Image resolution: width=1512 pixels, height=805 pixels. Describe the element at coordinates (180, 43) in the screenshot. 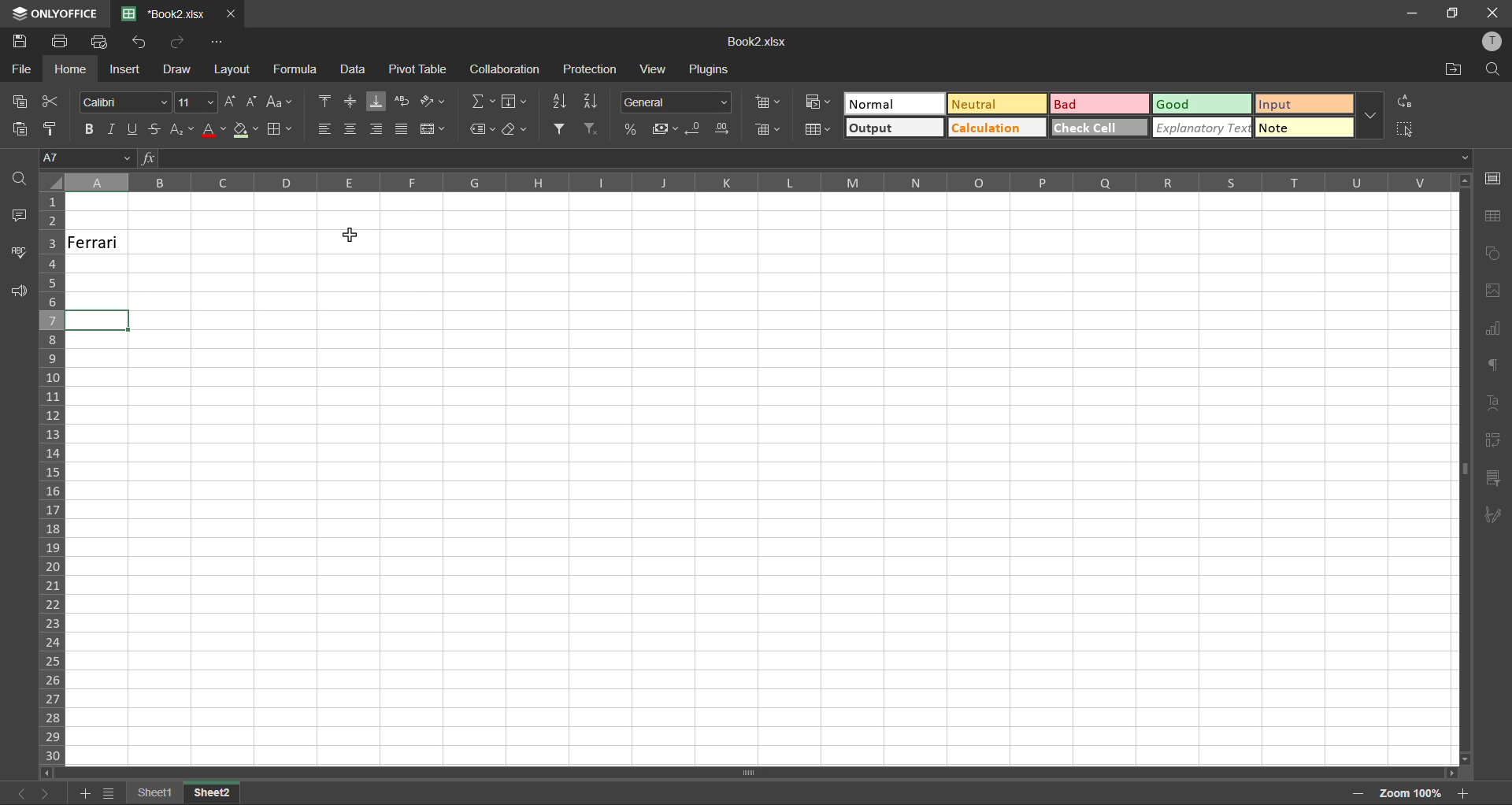

I see `redo` at that location.